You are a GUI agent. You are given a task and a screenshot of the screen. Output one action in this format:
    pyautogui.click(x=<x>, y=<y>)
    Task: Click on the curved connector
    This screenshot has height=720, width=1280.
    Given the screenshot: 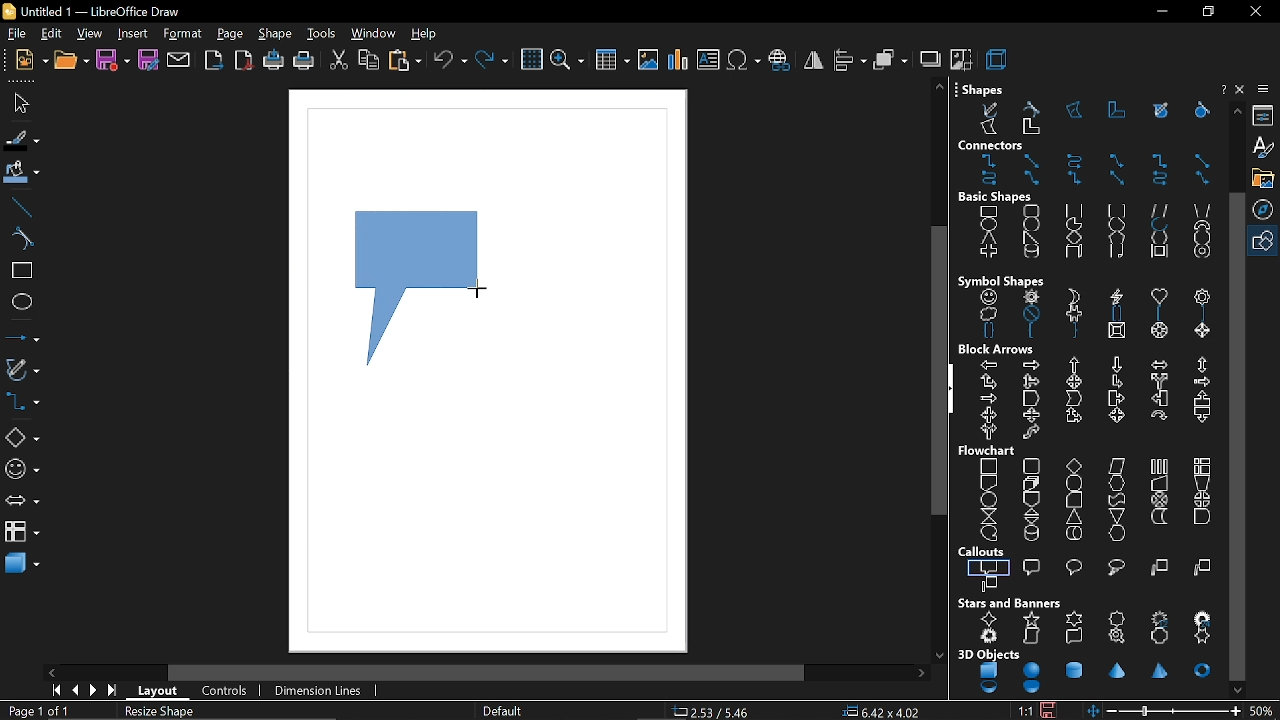 What is the action you would take?
    pyautogui.click(x=990, y=181)
    